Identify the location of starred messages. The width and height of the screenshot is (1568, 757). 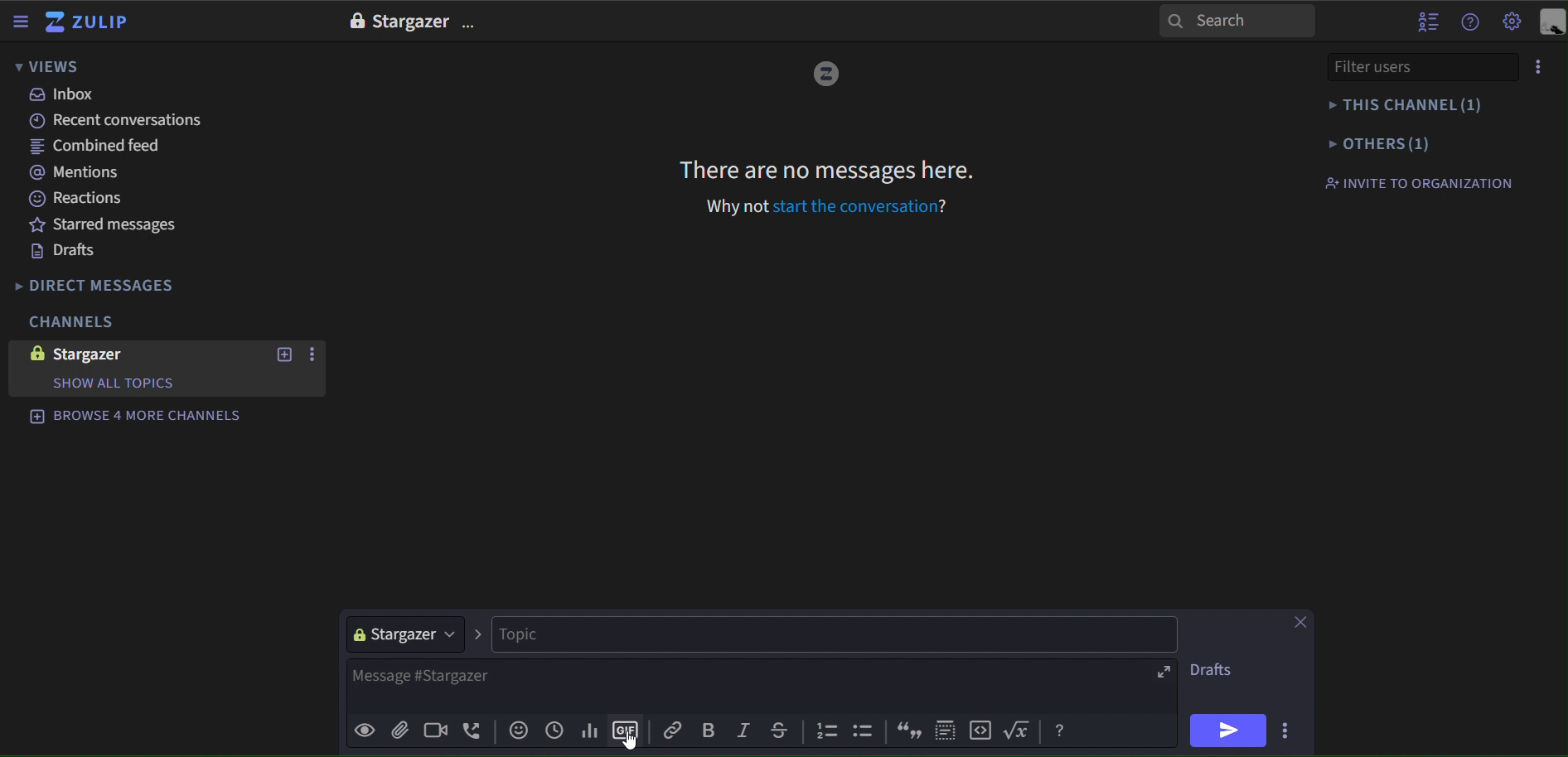
(105, 224).